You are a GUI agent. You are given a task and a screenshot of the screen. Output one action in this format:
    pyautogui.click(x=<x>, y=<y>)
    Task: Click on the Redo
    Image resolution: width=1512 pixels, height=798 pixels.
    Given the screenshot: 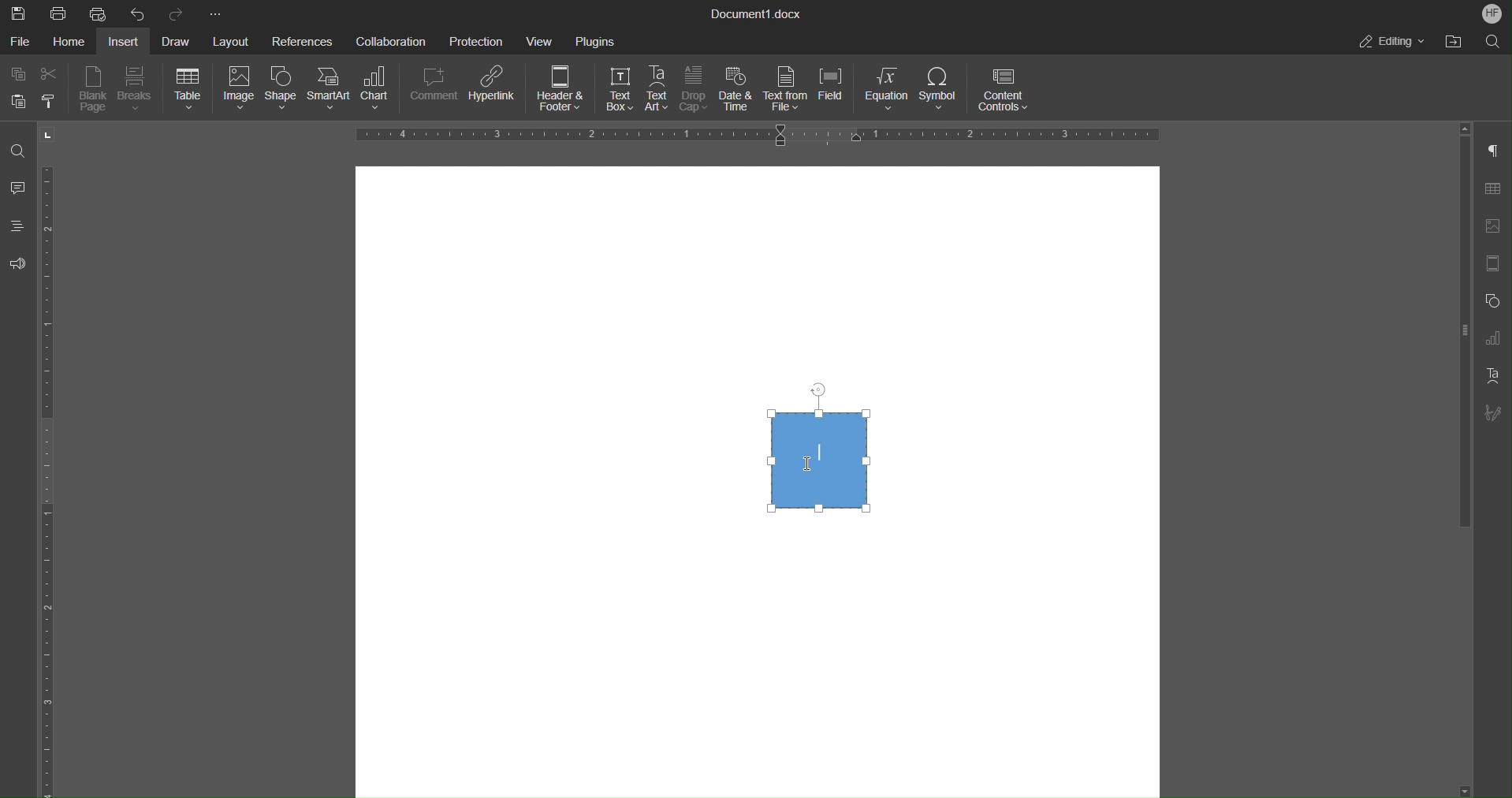 What is the action you would take?
    pyautogui.click(x=177, y=13)
    